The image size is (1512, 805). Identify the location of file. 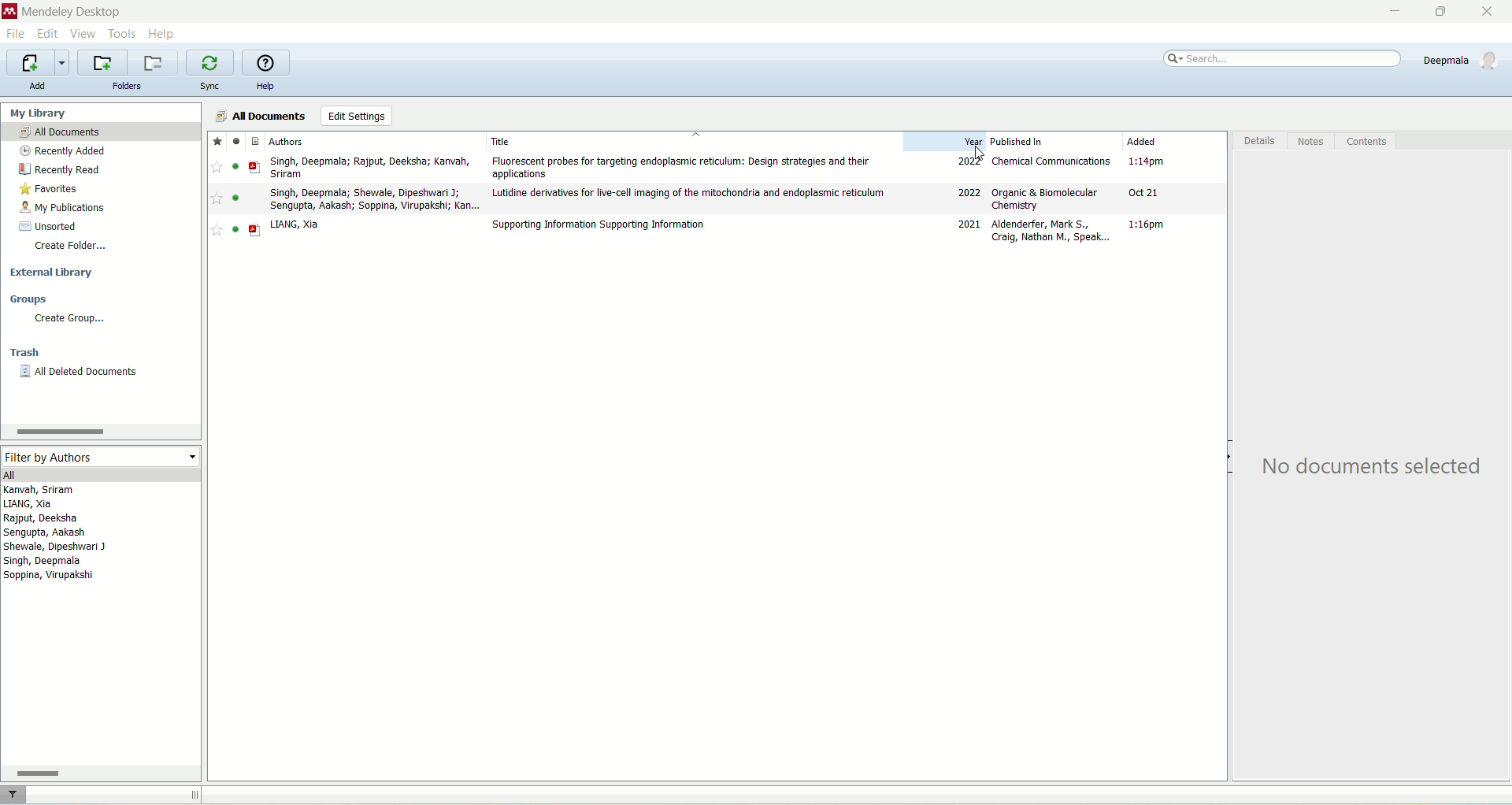
(17, 34).